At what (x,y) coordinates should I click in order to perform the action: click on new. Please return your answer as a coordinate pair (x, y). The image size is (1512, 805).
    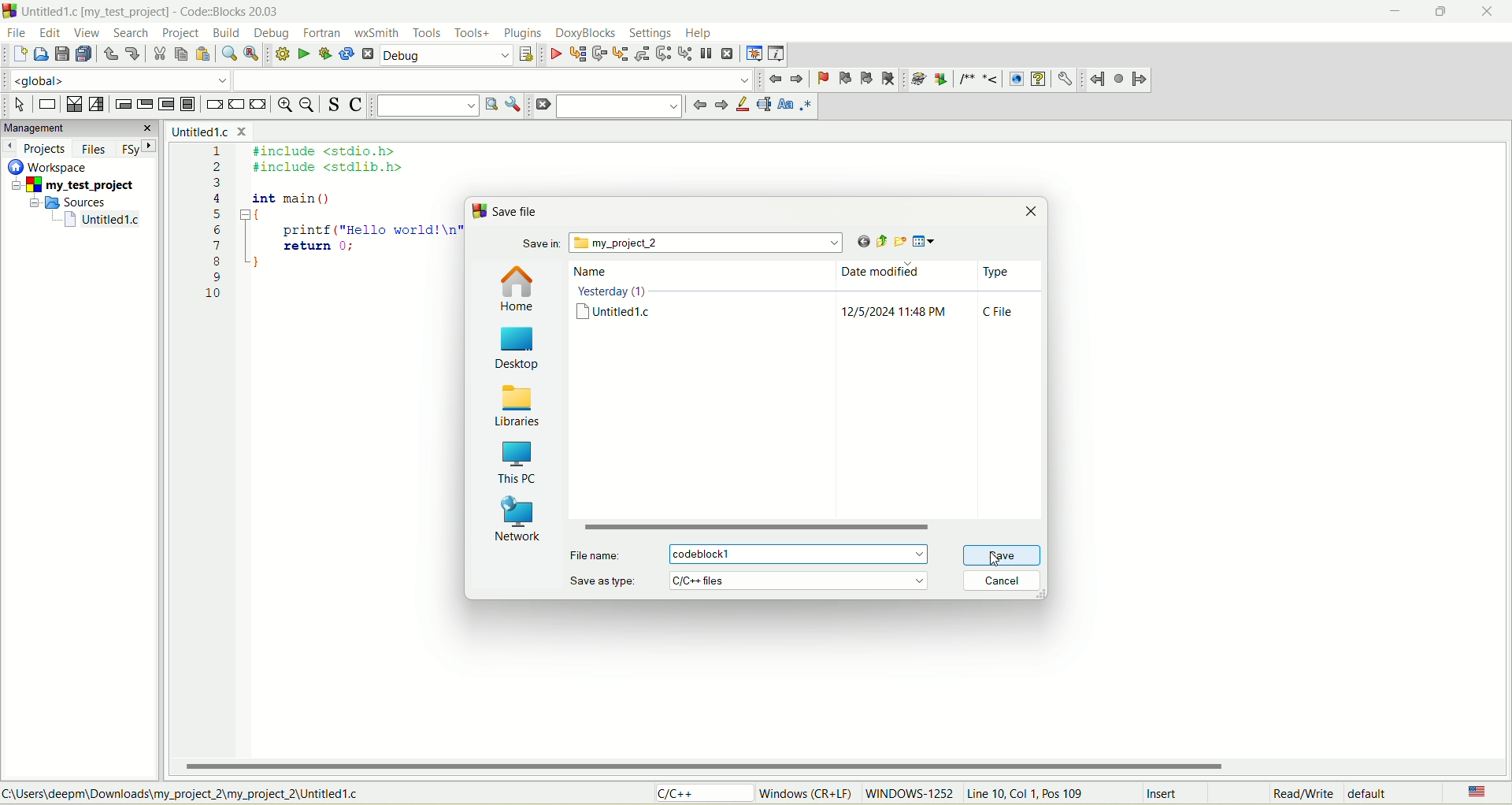
    Looking at the image, I should click on (18, 55).